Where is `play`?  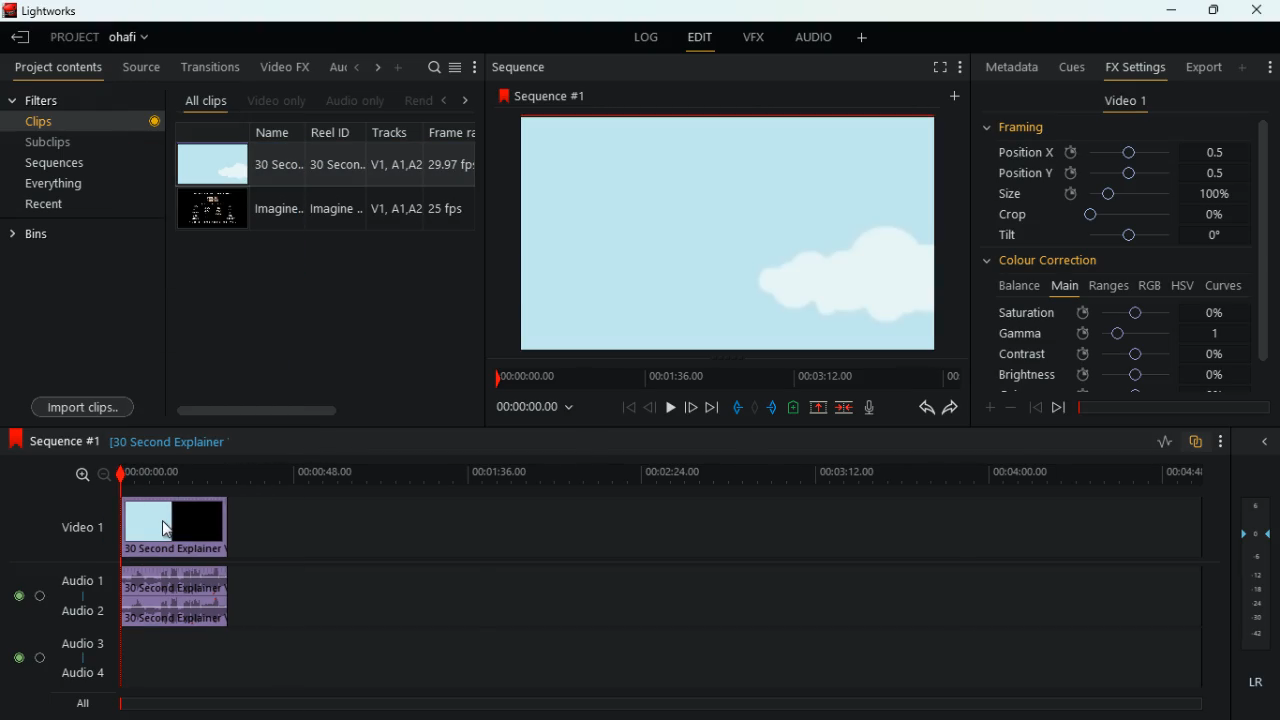
play is located at coordinates (671, 407).